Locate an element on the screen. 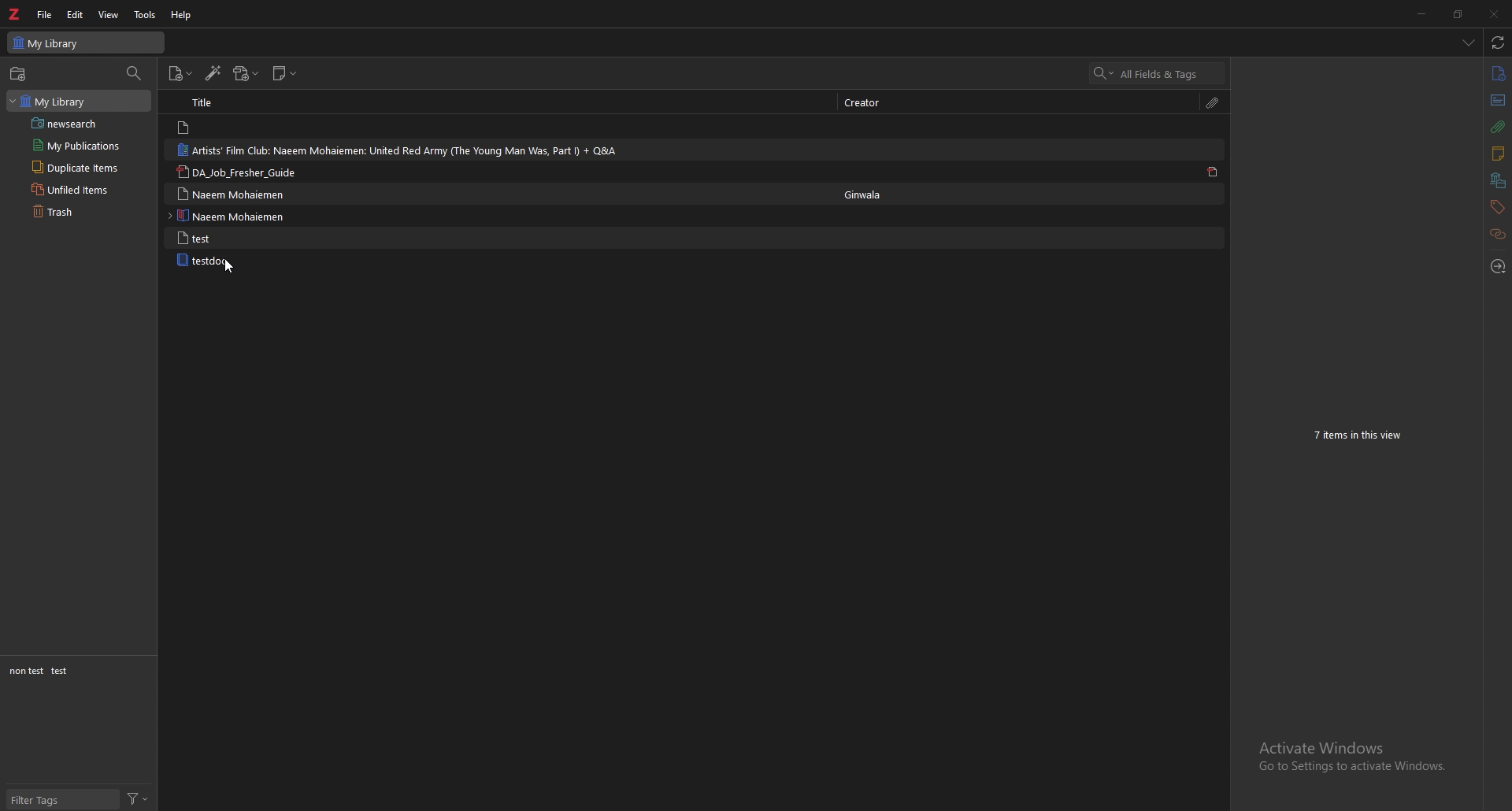 Image resolution: width=1512 pixels, height=811 pixels. edit is located at coordinates (75, 14).